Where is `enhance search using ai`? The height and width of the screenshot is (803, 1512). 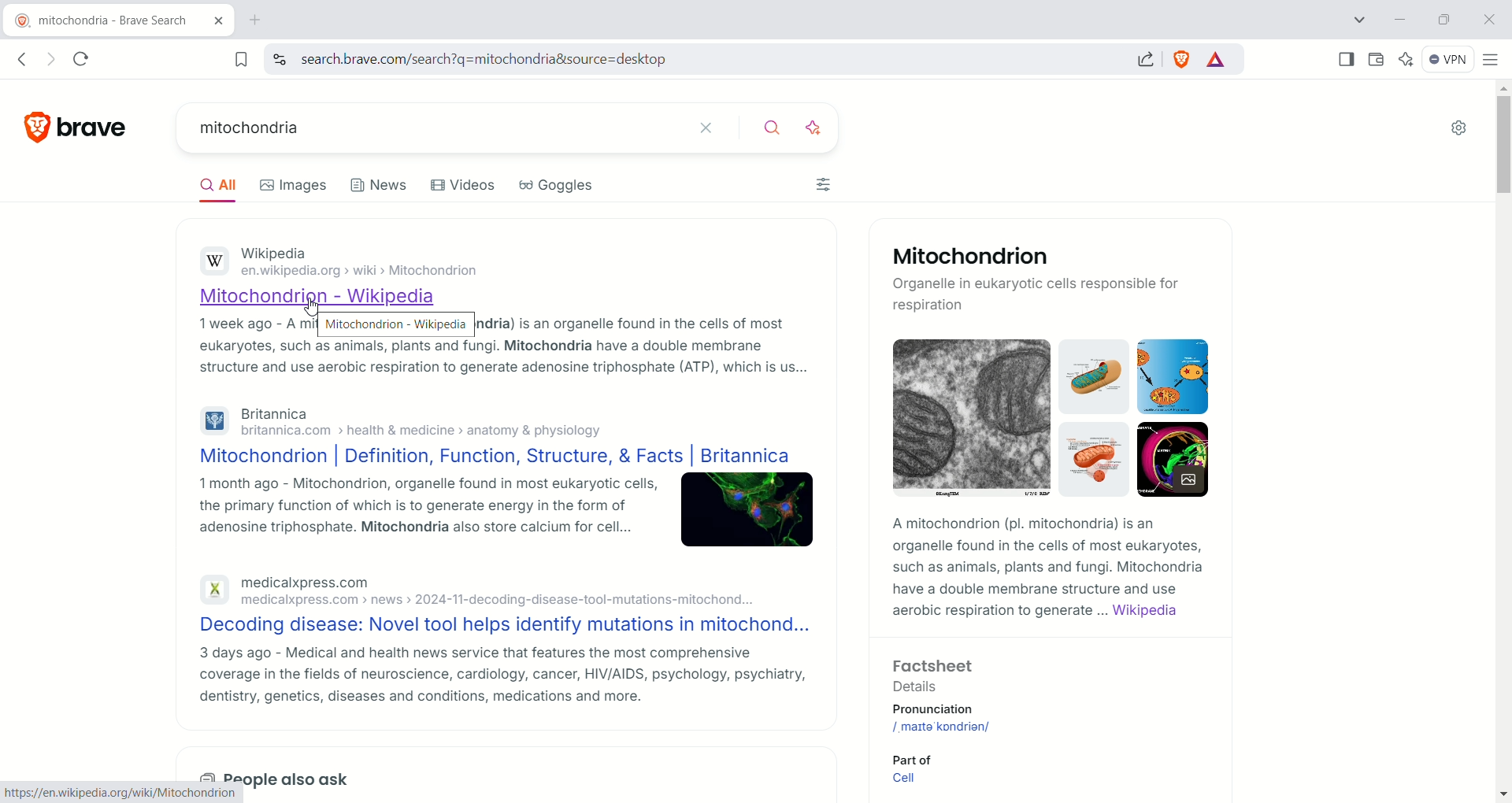 enhance search using ai is located at coordinates (813, 129).